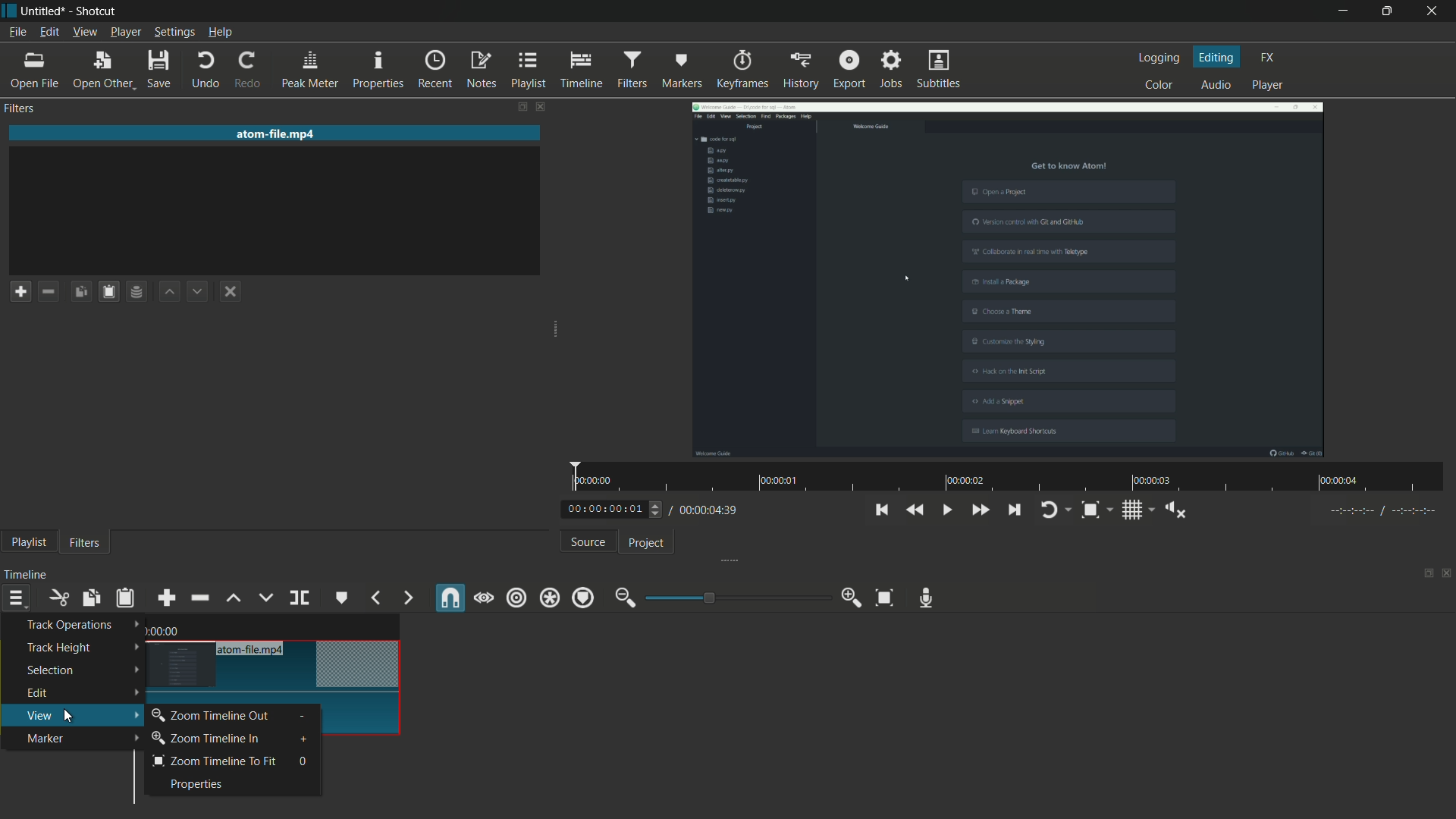 The image size is (1456, 819). What do you see at coordinates (409, 598) in the screenshot?
I see `next marker` at bounding box center [409, 598].